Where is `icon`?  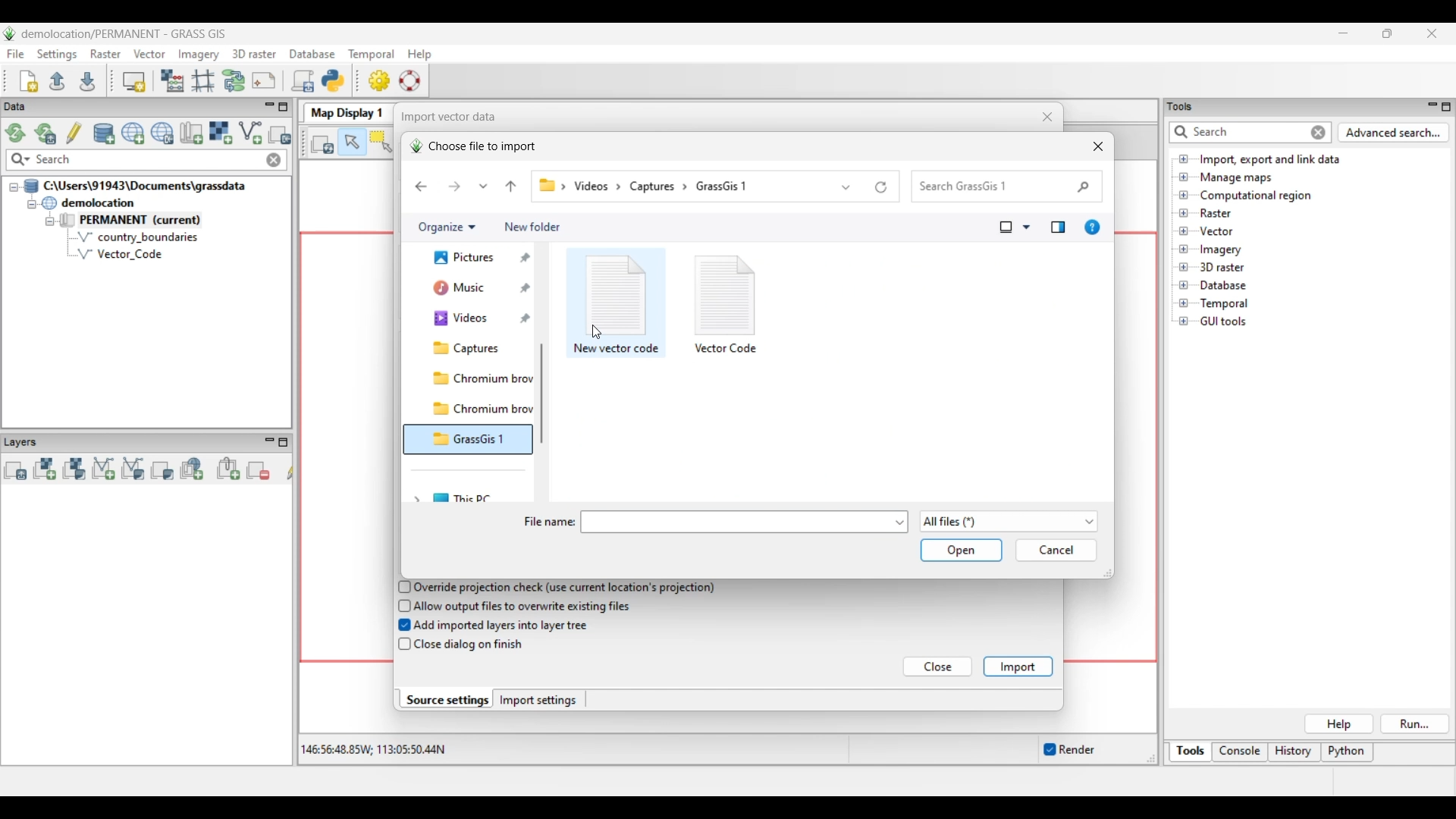 icon is located at coordinates (618, 293).